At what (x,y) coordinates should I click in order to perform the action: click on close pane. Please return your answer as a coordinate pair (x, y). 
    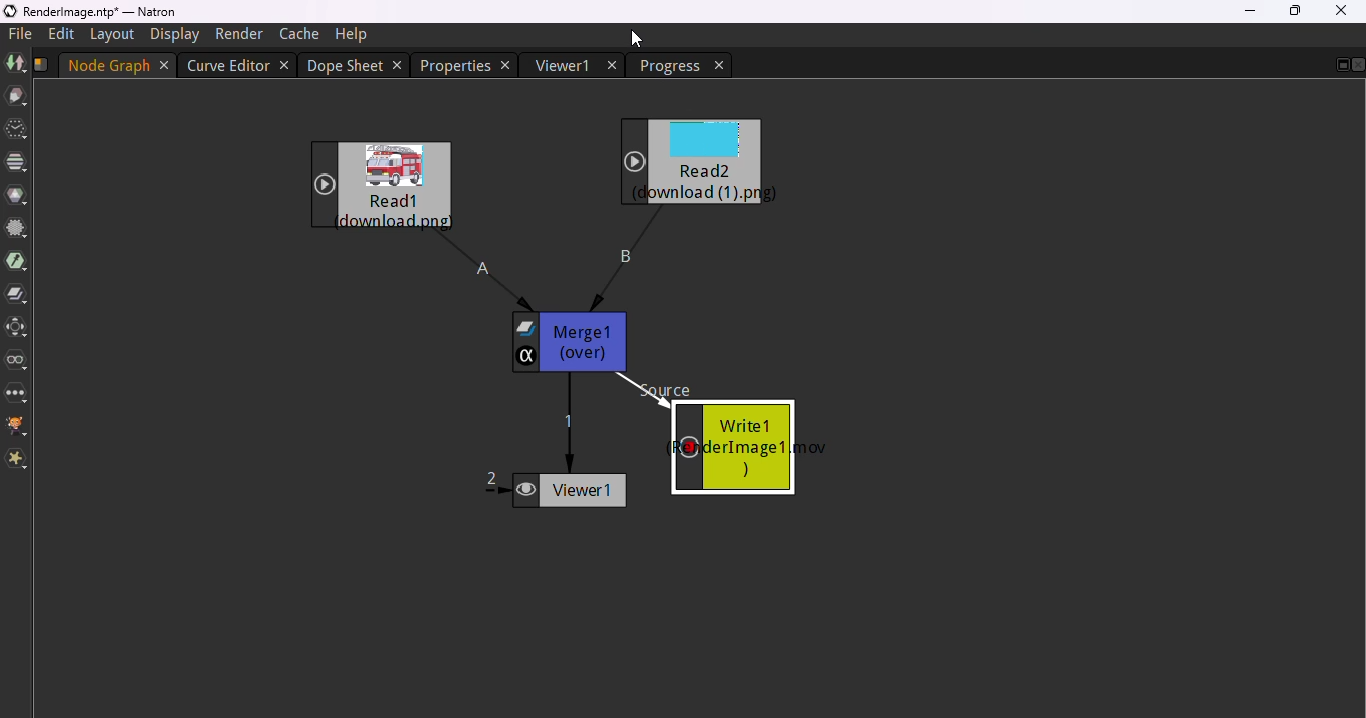
    Looking at the image, I should click on (1357, 65).